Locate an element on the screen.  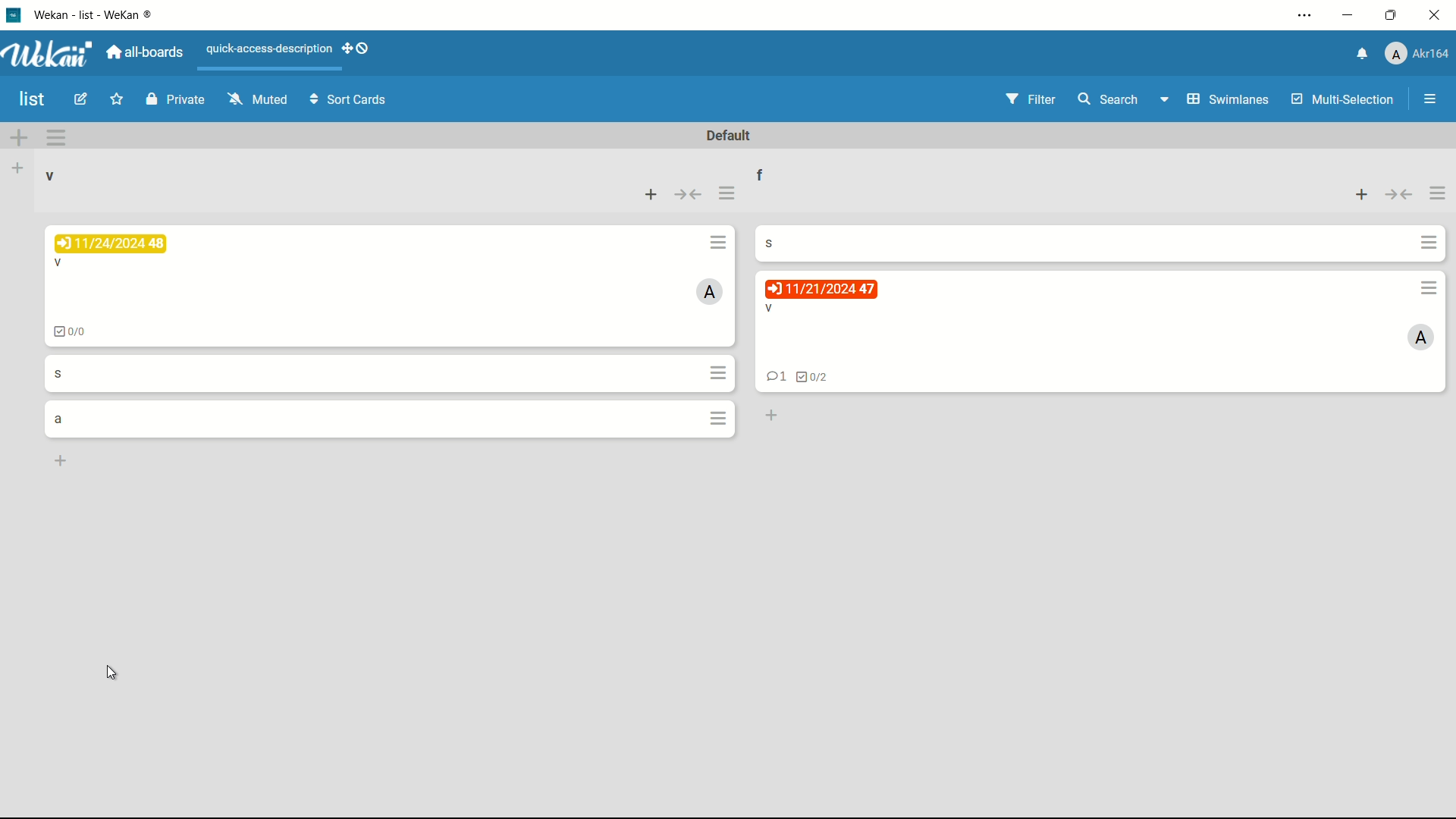
multi-selection is located at coordinates (1341, 99).